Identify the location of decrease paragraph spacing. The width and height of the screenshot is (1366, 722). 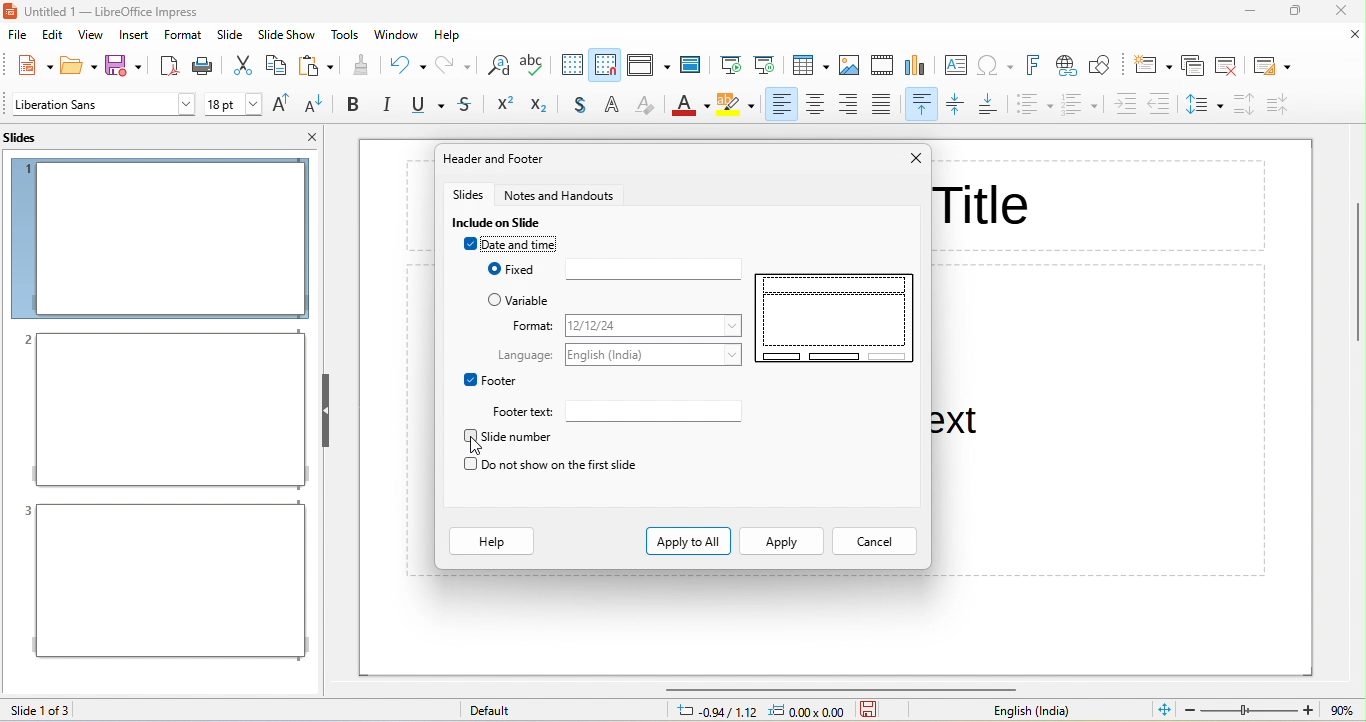
(1280, 104).